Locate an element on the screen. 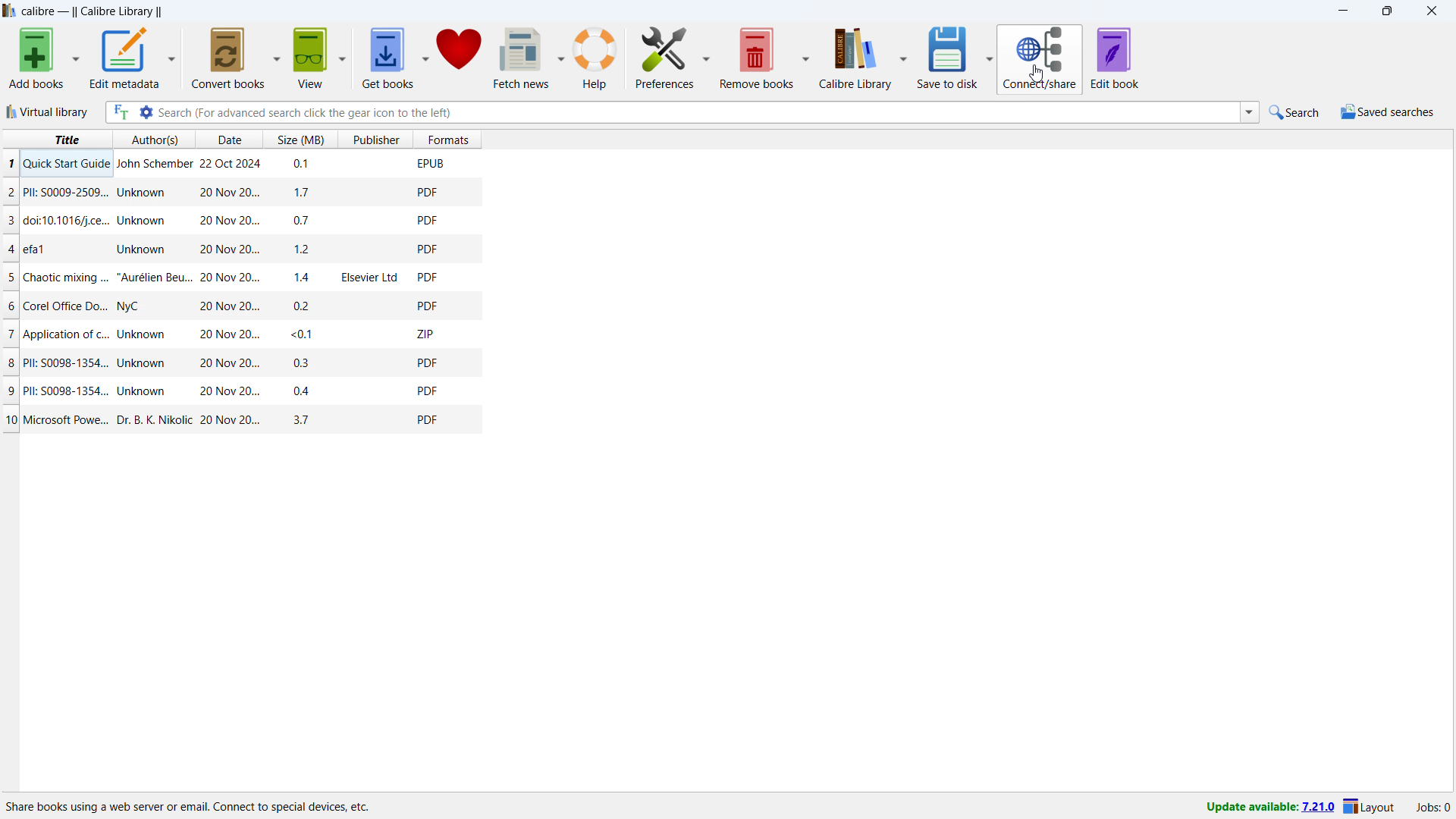 This screenshot has width=1456, height=819.  is located at coordinates (947, 59).